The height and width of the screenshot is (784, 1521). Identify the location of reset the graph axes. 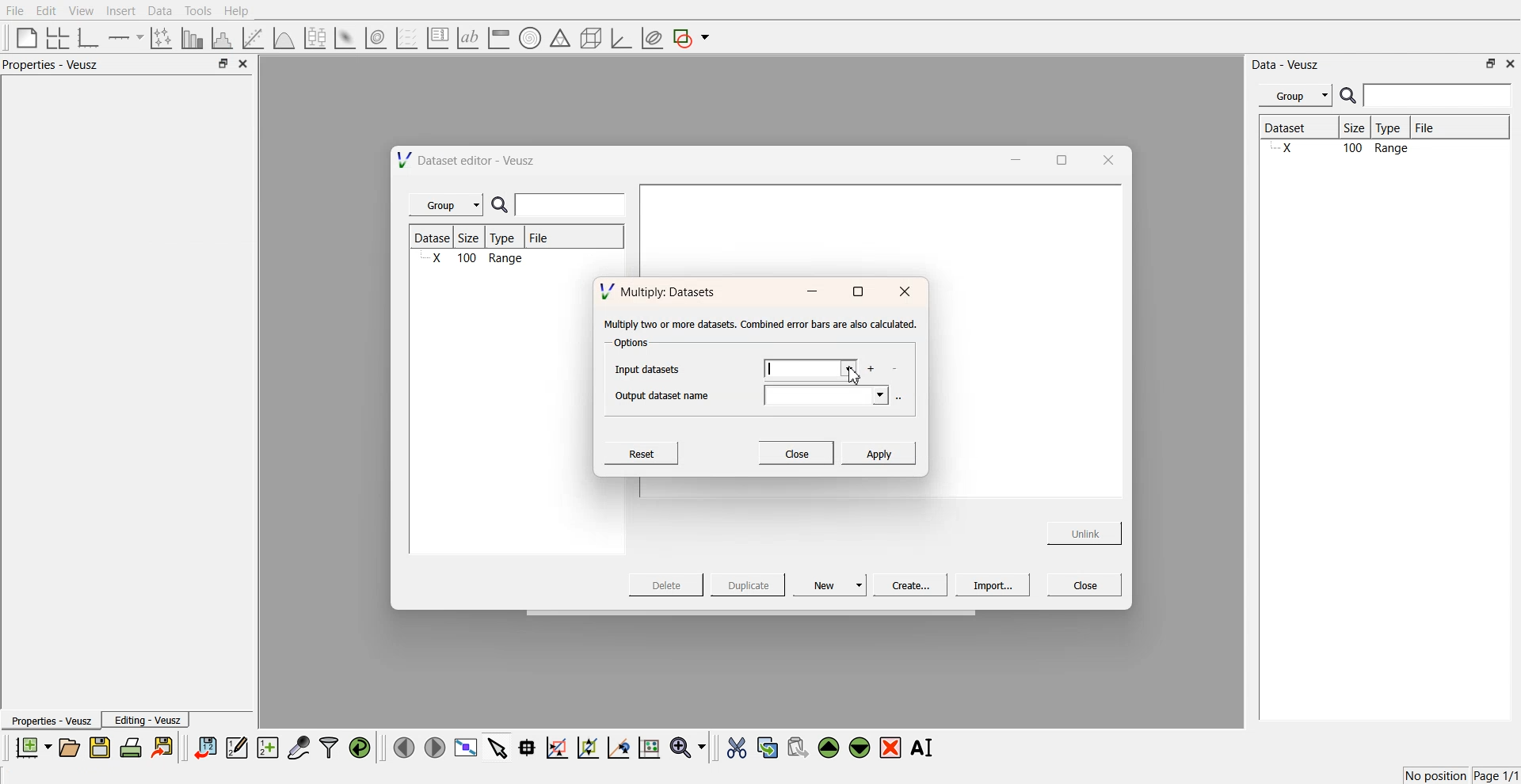
(649, 748).